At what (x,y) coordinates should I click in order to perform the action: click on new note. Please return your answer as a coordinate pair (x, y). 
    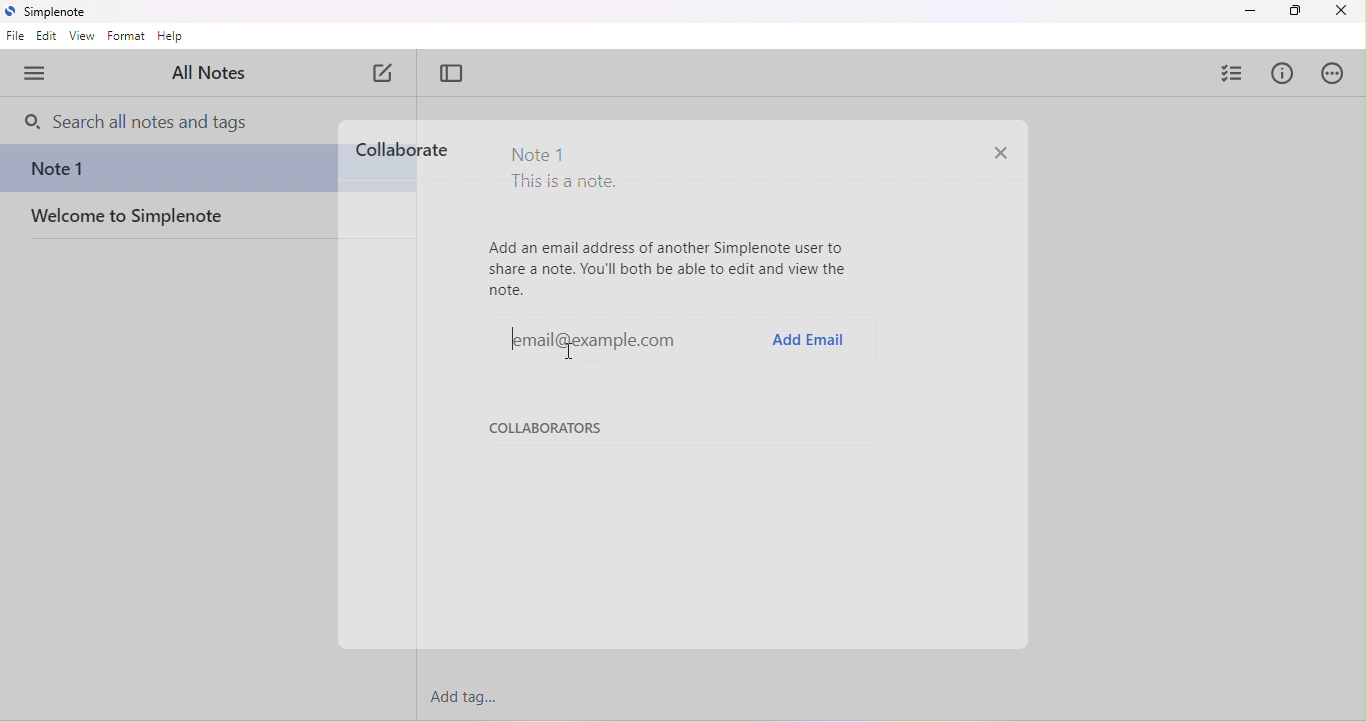
    Looking at the image, I should click on (385, 73).